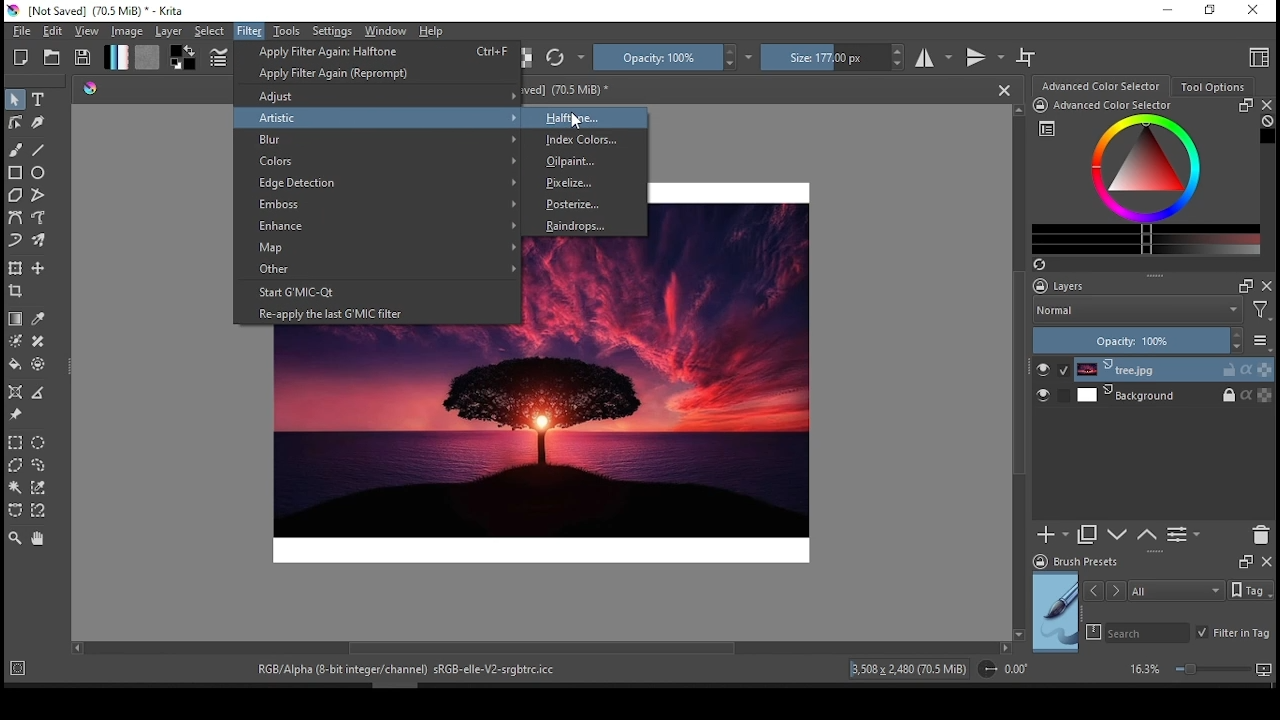 Image resolution: width=1280 pixels, height=720 pixels. I want to click on vertical mirror mode, so click(986, 57).